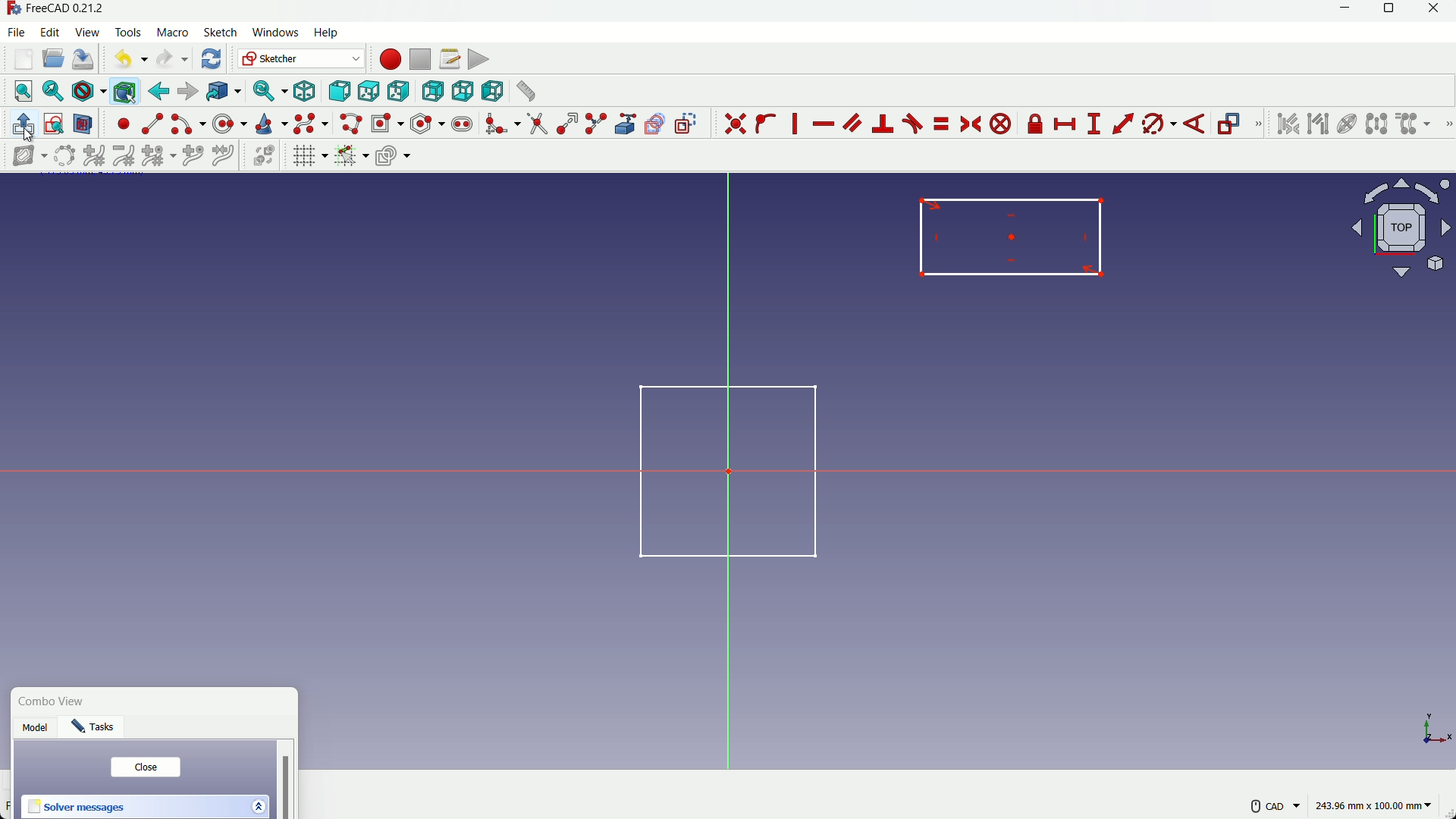 This screenshot has width=1456, height=819. Describe the element at coordinates (449, 59) in the screenshot. I see `macros setting` at that location.